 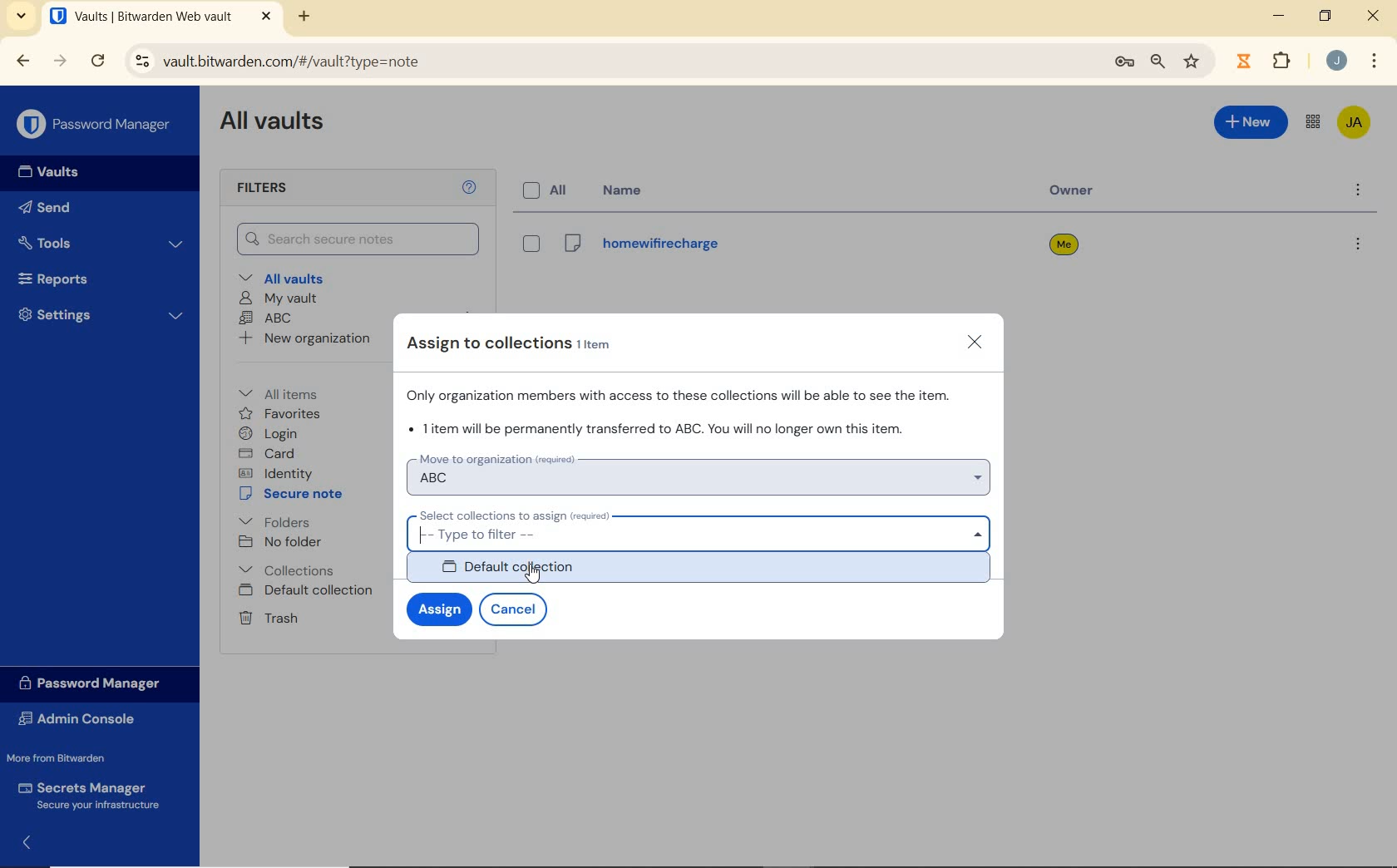 I want to click on address bar, so click(x=607, y=62).